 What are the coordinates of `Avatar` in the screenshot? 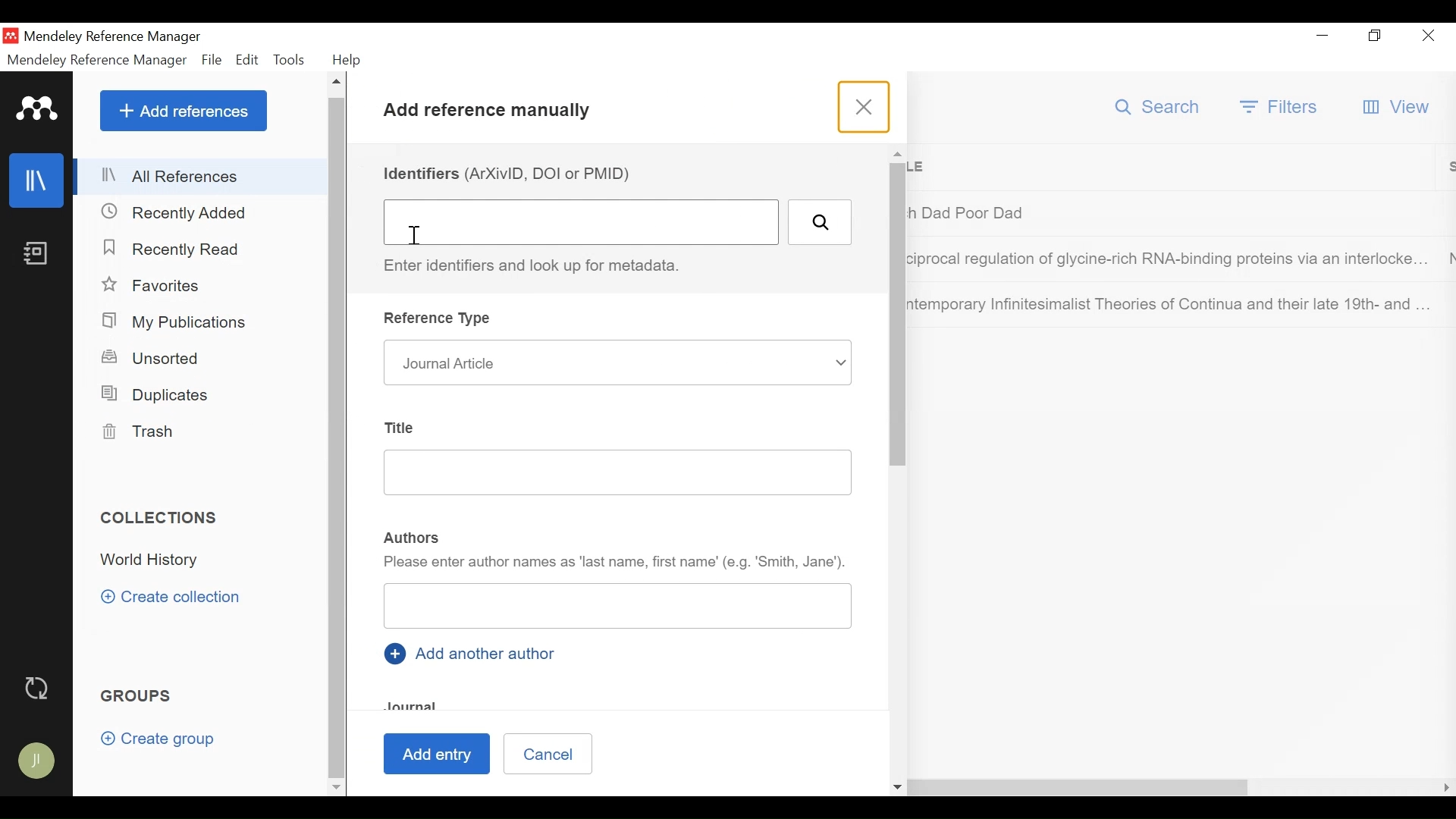 It's located at (38, 762).